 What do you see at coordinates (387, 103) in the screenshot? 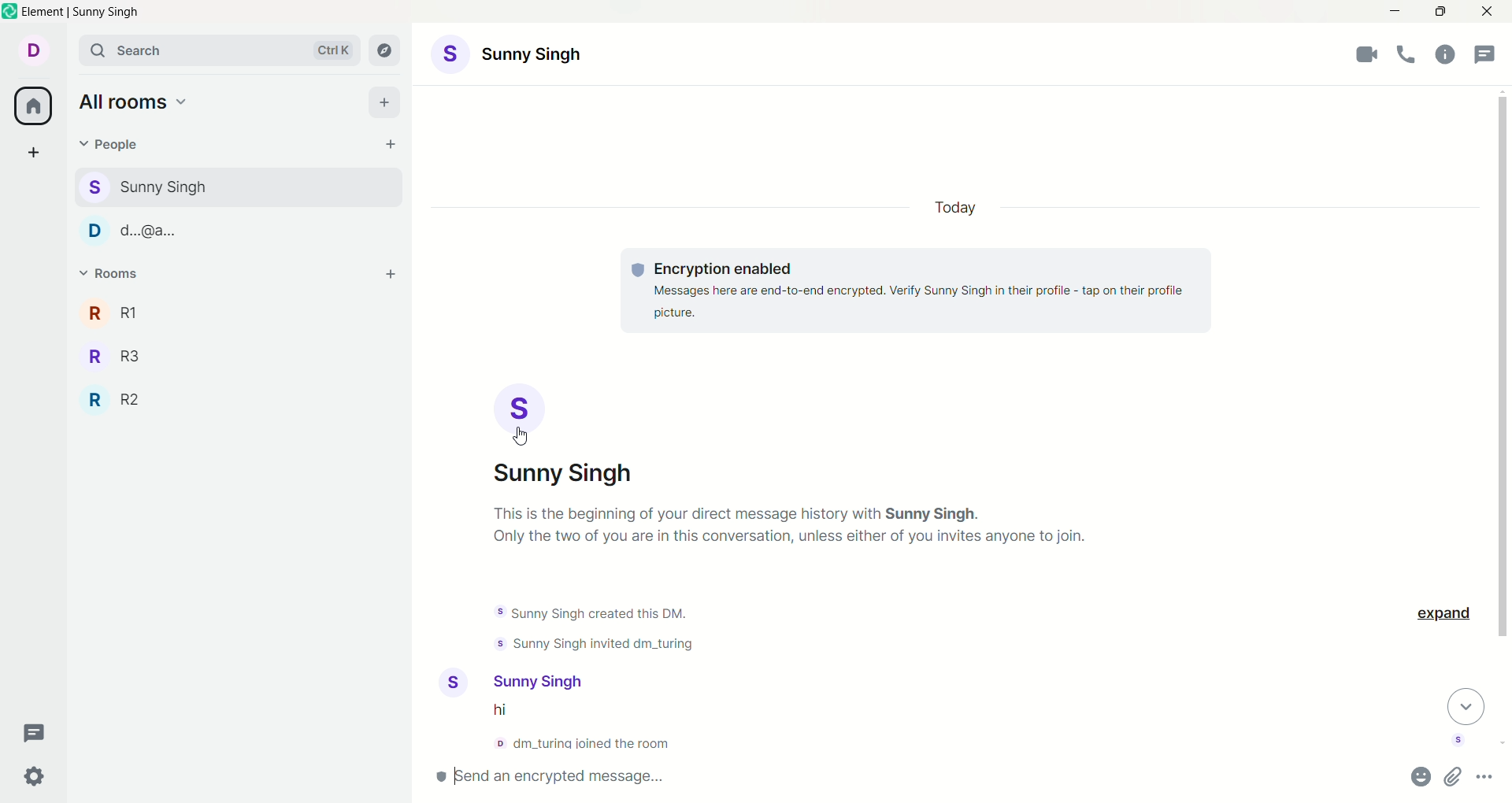
I see `add` at bounding box center [387, 103].